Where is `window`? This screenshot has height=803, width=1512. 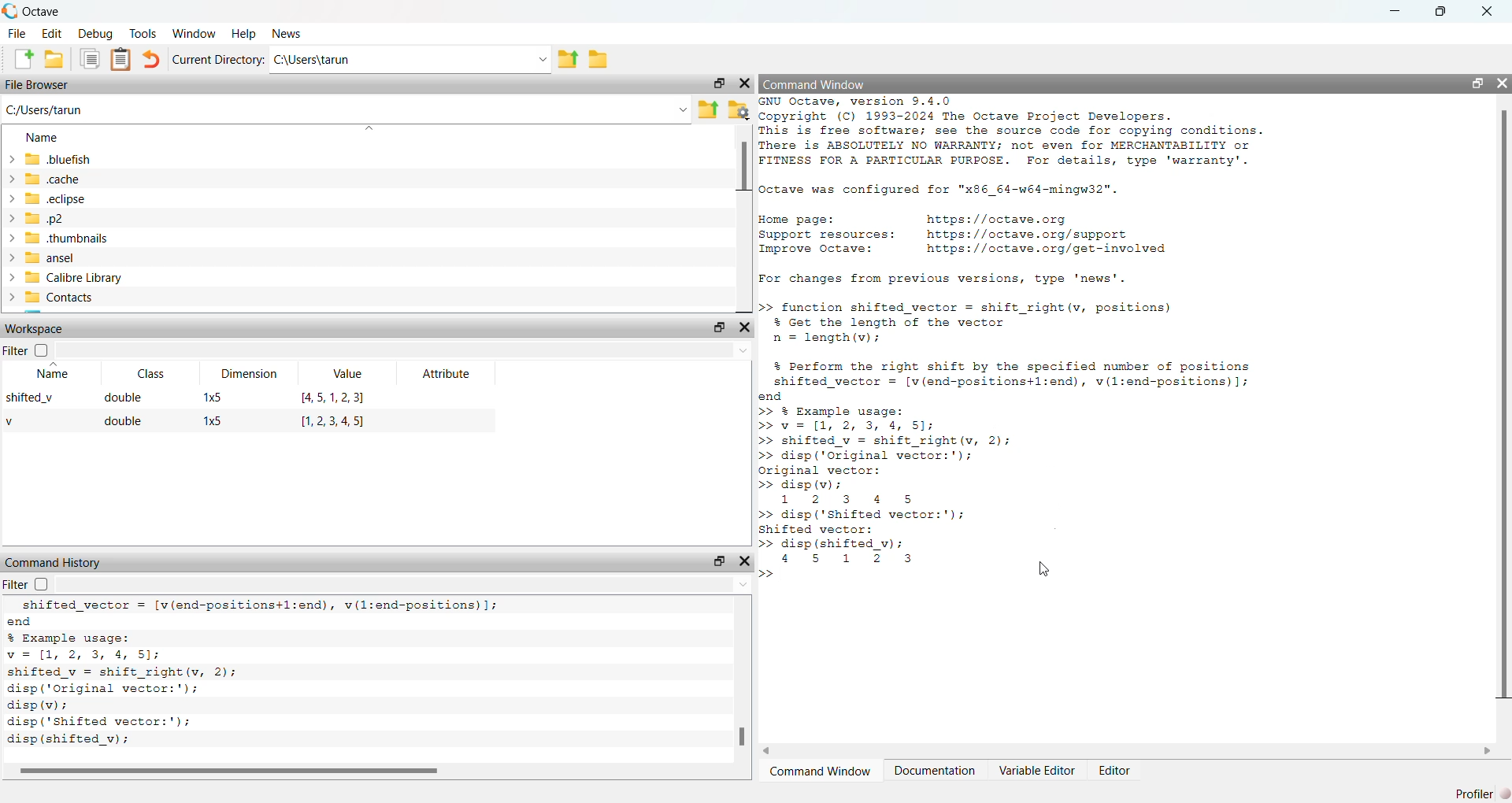 window is located at coordinates (193, 34).